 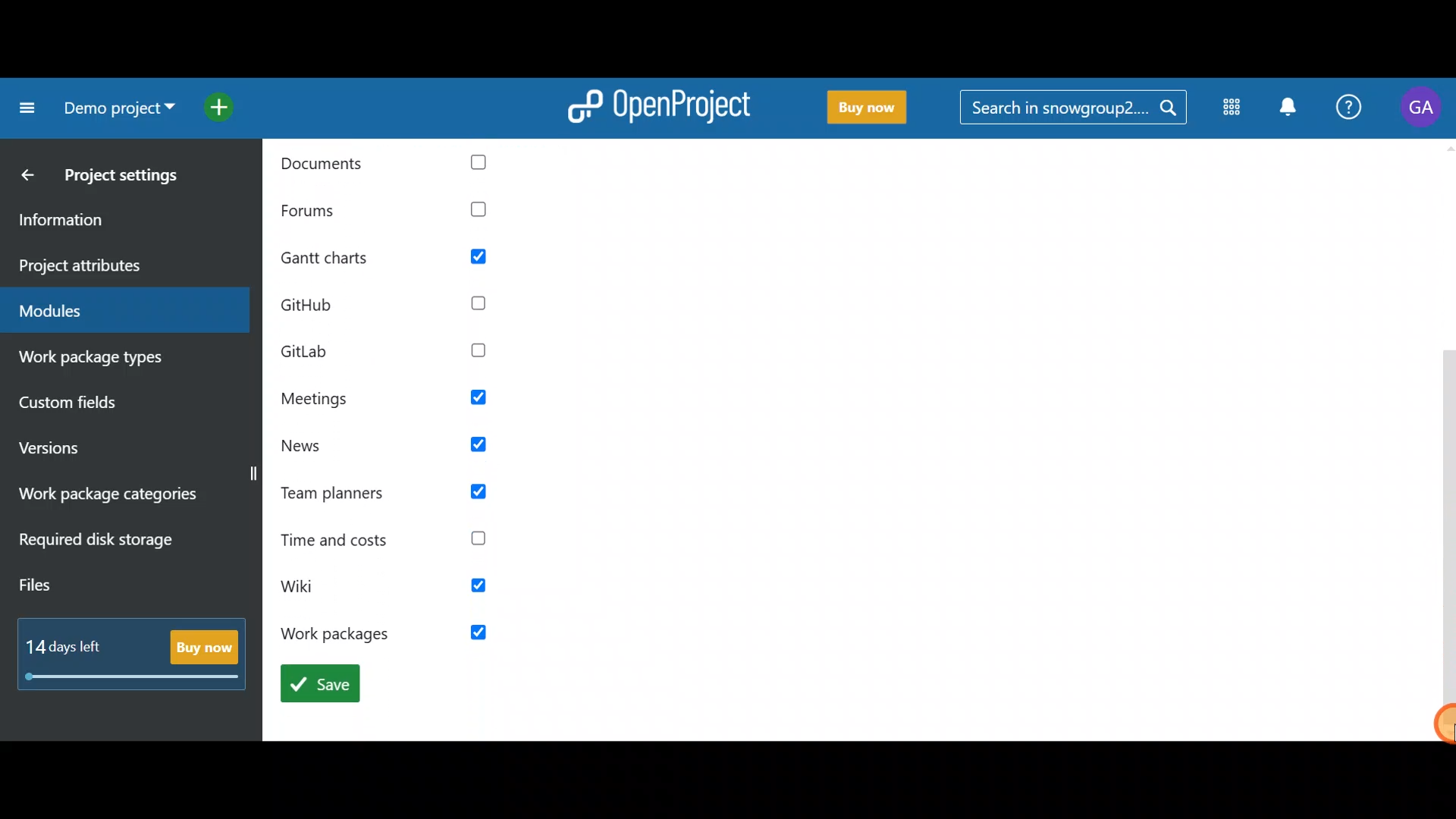 What do you see at coordinates (660, 111) in the screenshot?
I see `OpenProject` at bounding box center [660, 111].